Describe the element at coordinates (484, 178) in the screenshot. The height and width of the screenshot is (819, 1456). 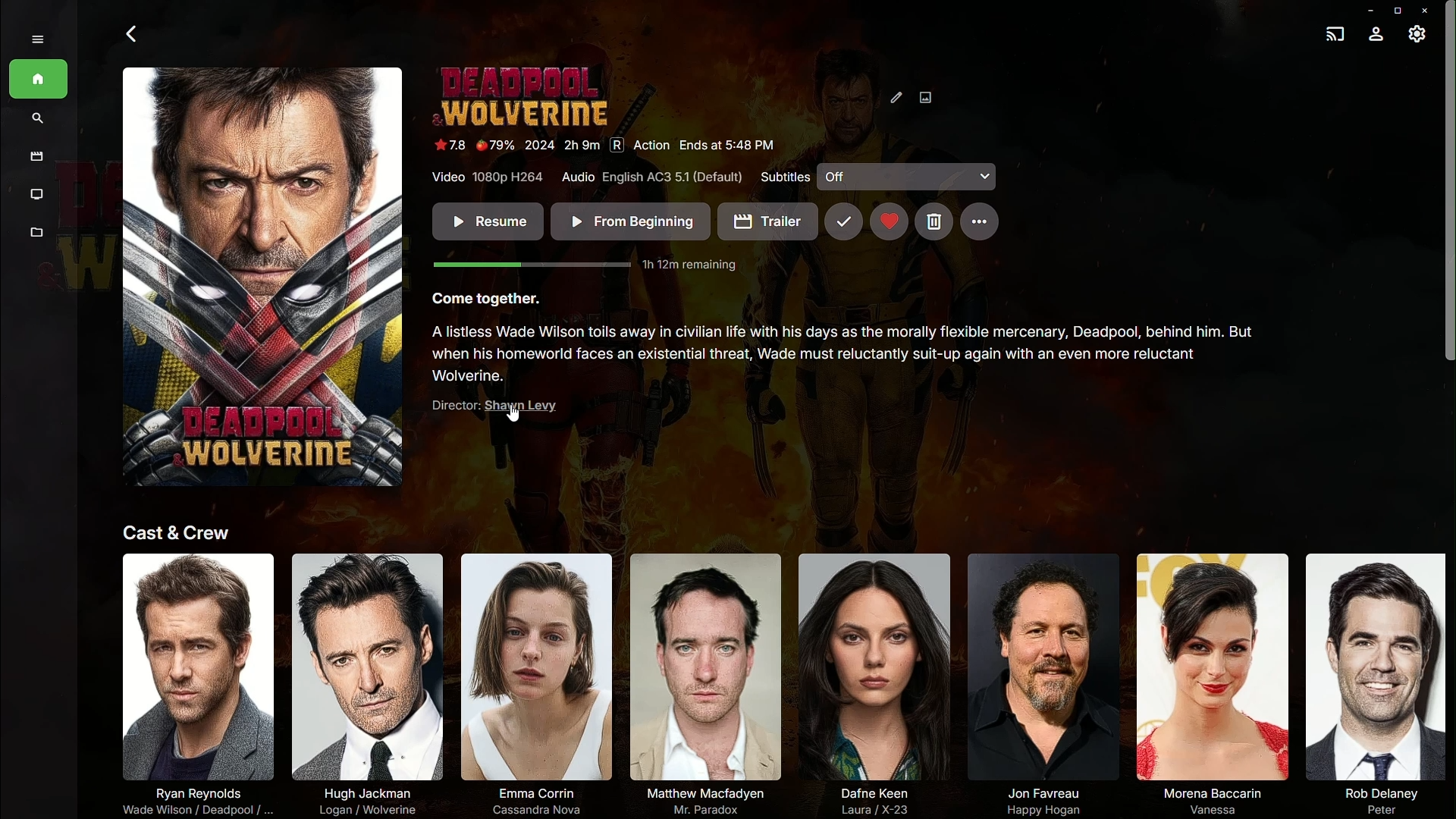
I see `Video Details` at that location.